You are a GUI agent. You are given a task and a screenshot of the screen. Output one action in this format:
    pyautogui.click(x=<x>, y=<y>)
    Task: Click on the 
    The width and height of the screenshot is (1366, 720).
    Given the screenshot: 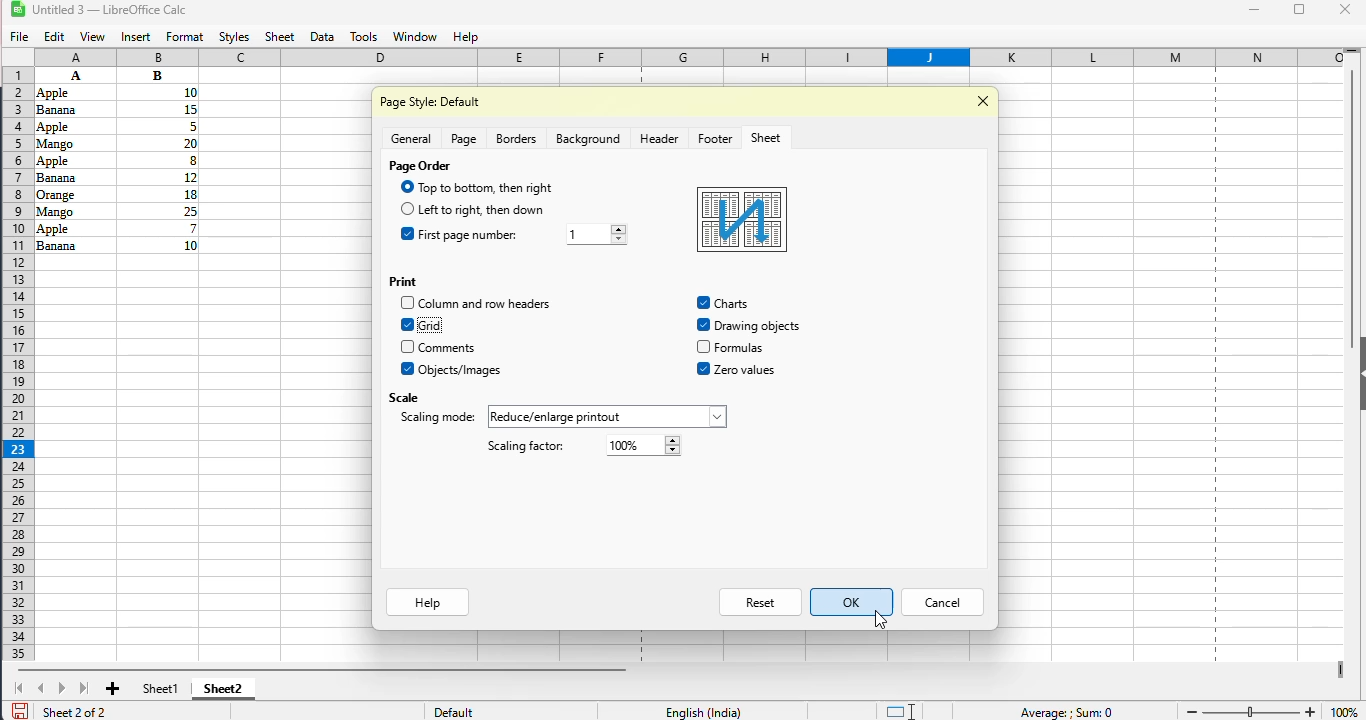 What is the action you would take?
    pyautogui.click(x=758, y=326)
    